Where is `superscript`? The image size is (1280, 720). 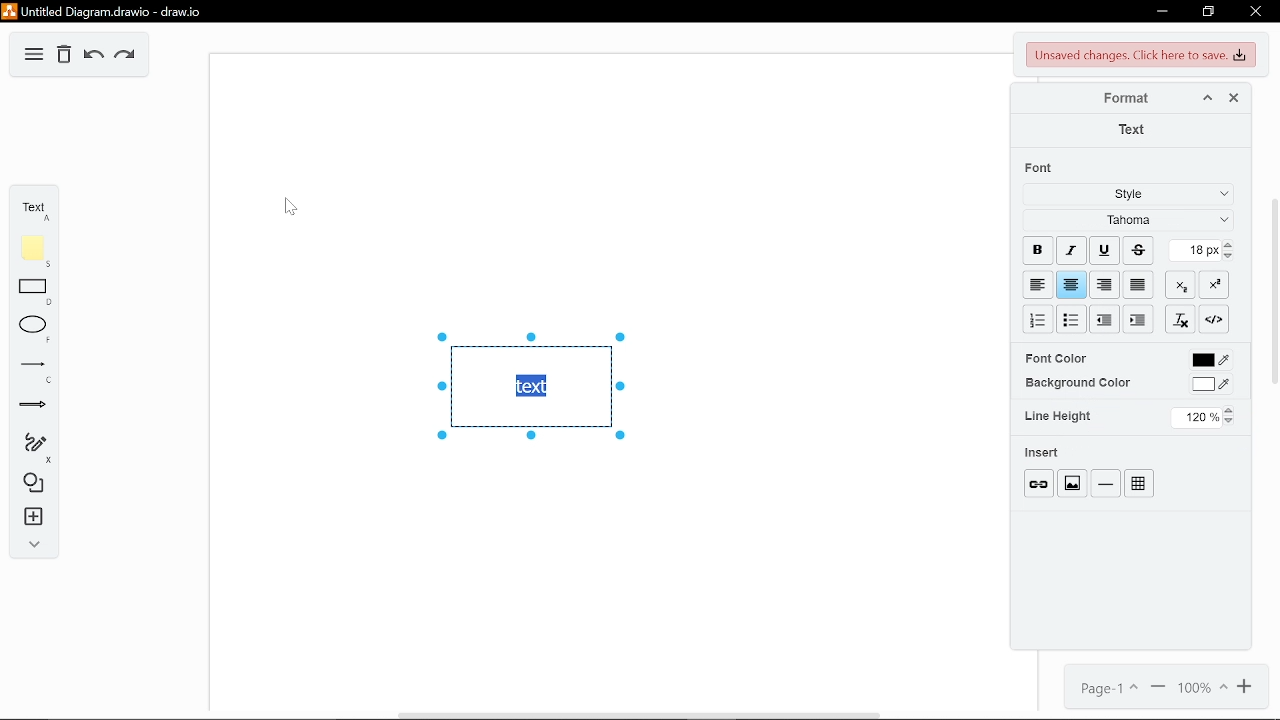
superscript is located at coordinates (1214, 284).